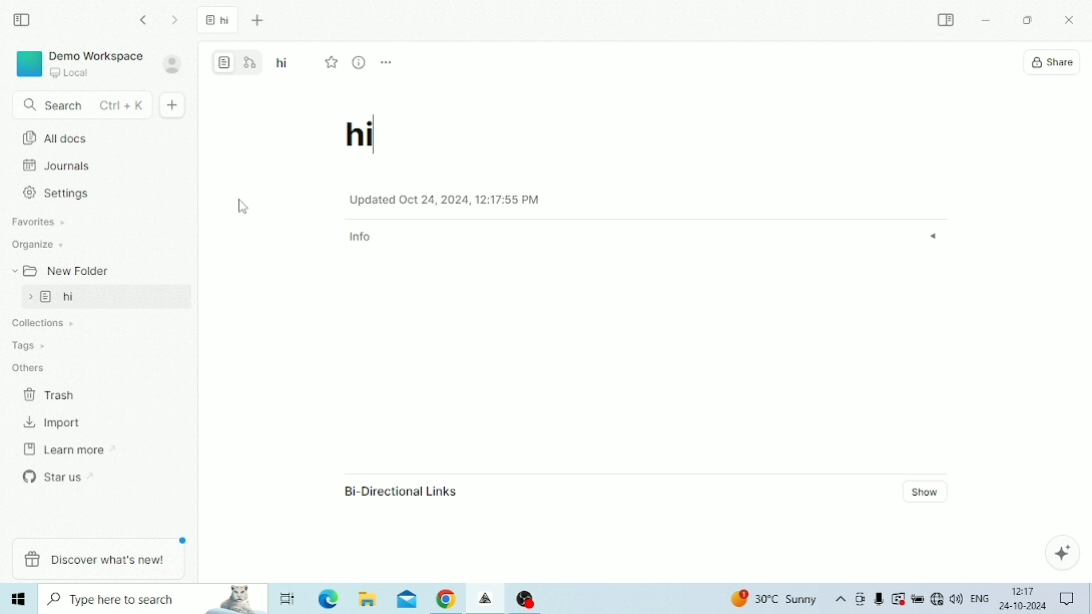  Describe the element at coordinates (1024, 590) in the screenshot. I see `Time` at that location.